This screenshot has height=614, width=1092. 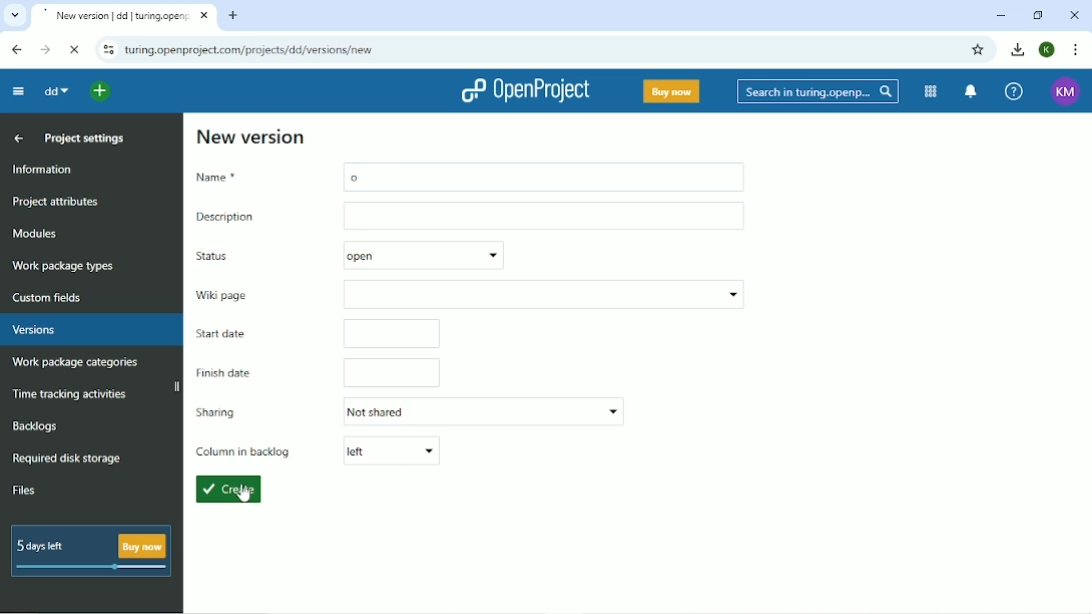 I want to click on Download, so click(x=1016, y=49).